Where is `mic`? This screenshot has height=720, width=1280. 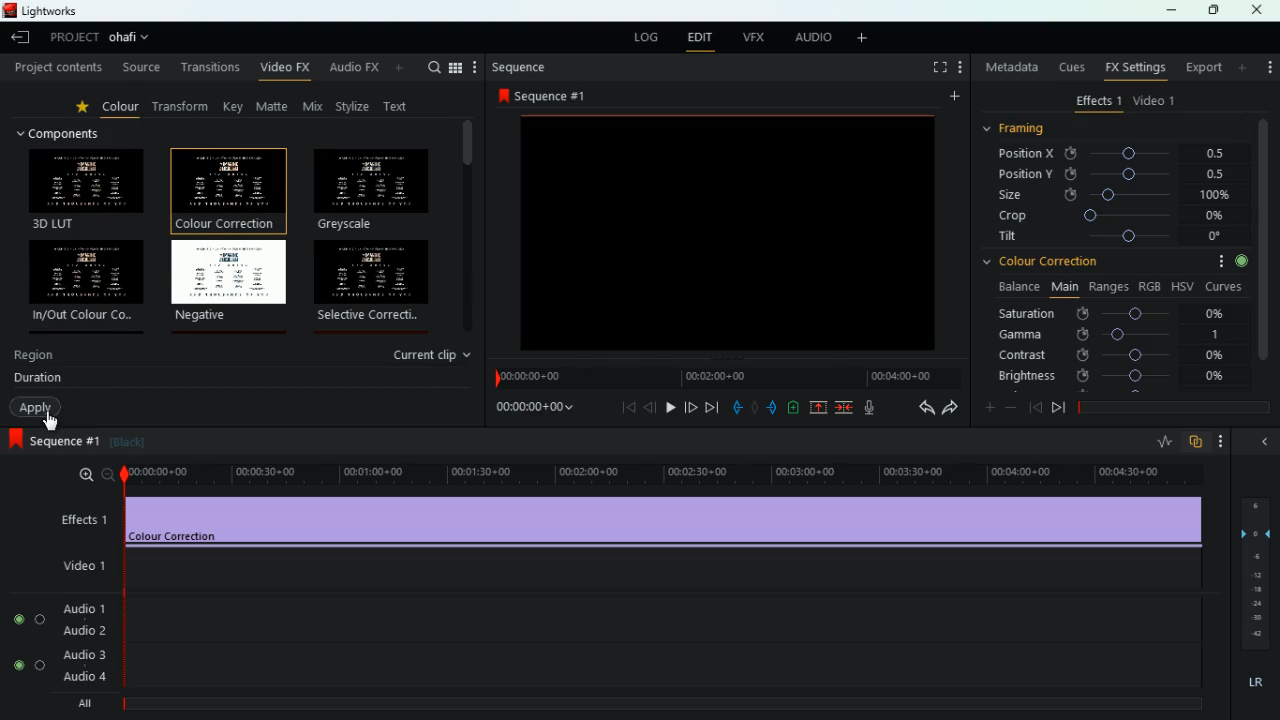
mic is located at coordinates (873, 408).